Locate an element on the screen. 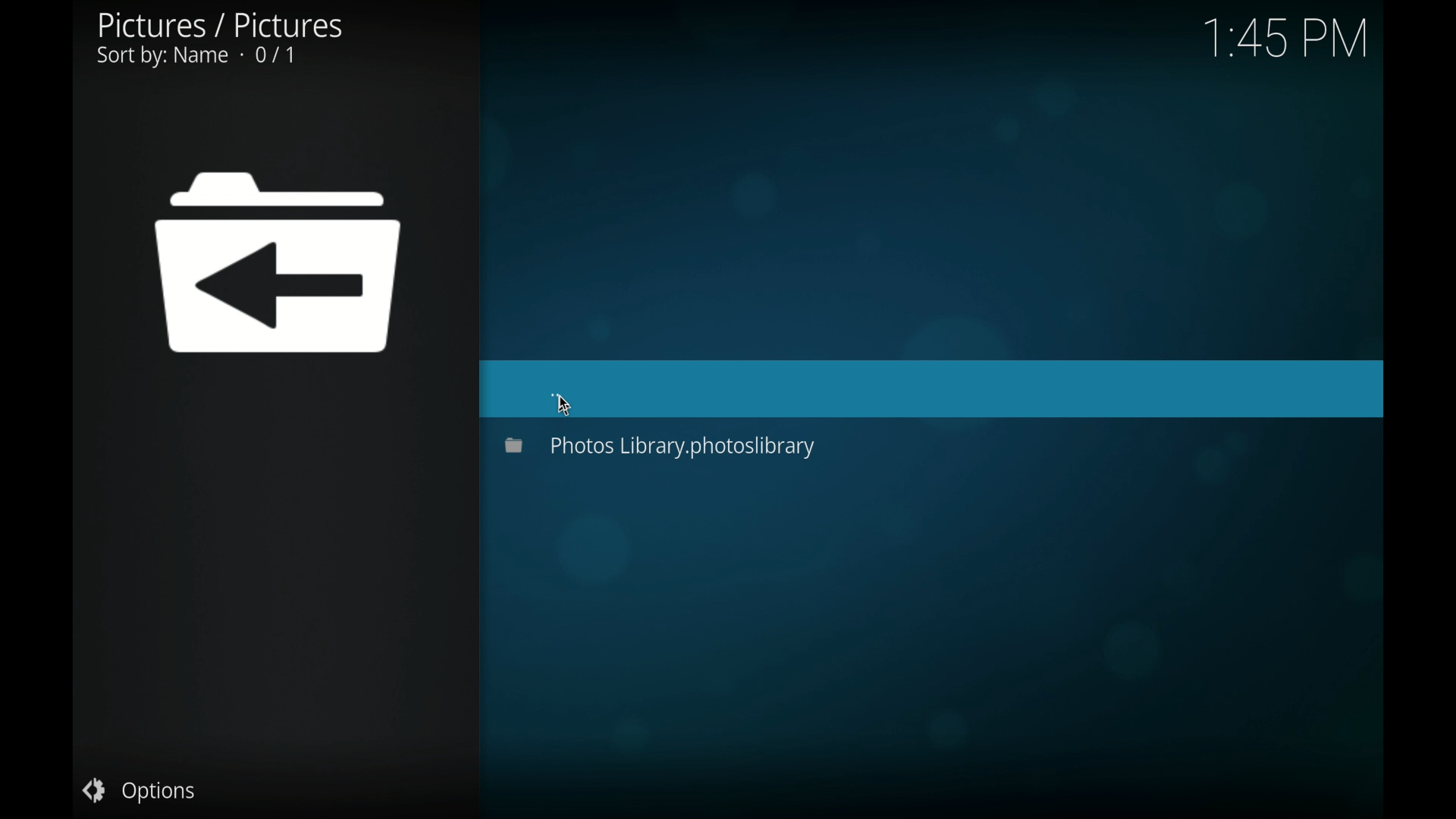 The height and width of the screenshot is (819, 1456). folder is located at coordinates (661, 446).